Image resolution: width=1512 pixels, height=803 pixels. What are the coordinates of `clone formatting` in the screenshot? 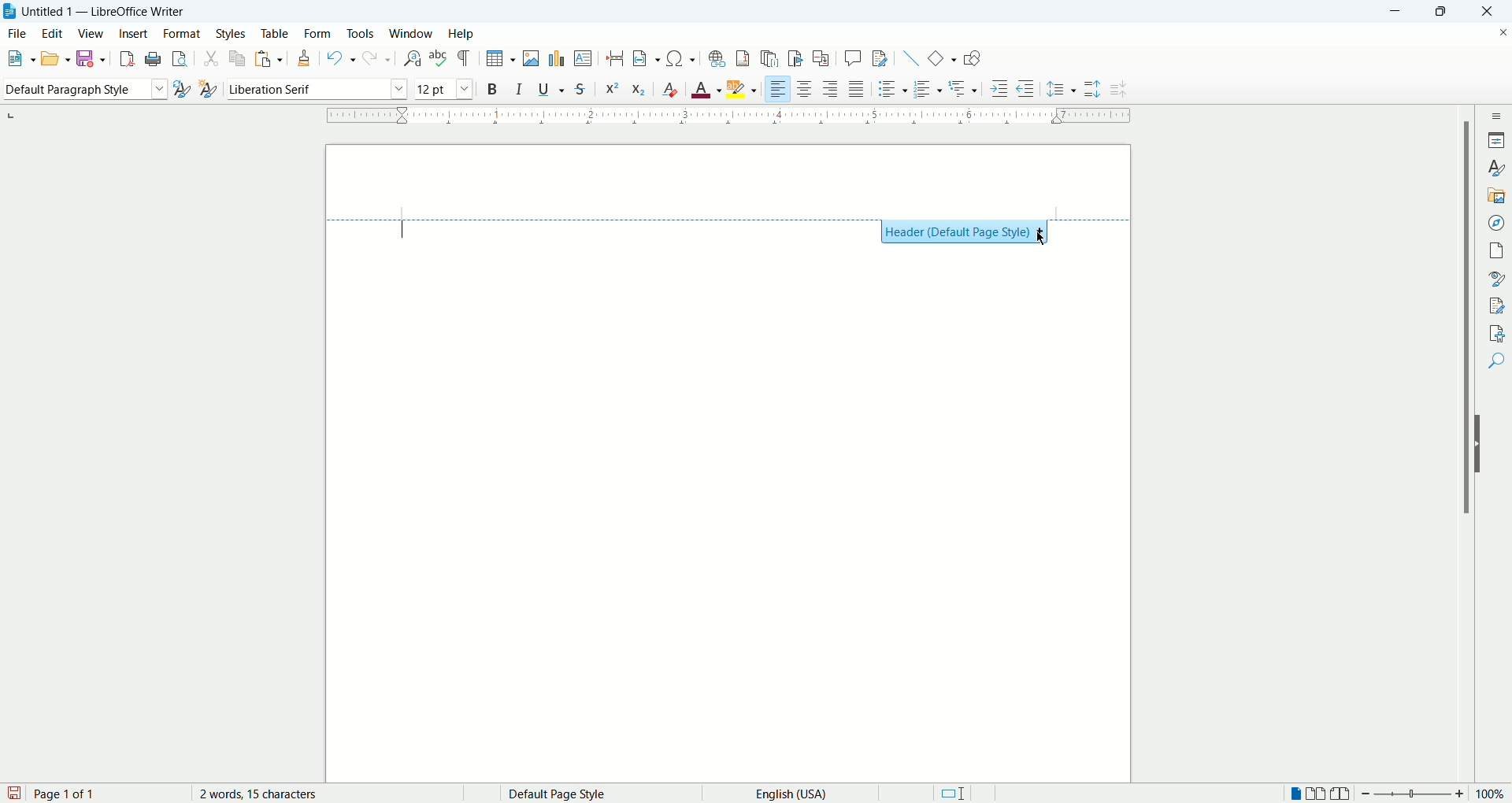 It's located at (304, 59).